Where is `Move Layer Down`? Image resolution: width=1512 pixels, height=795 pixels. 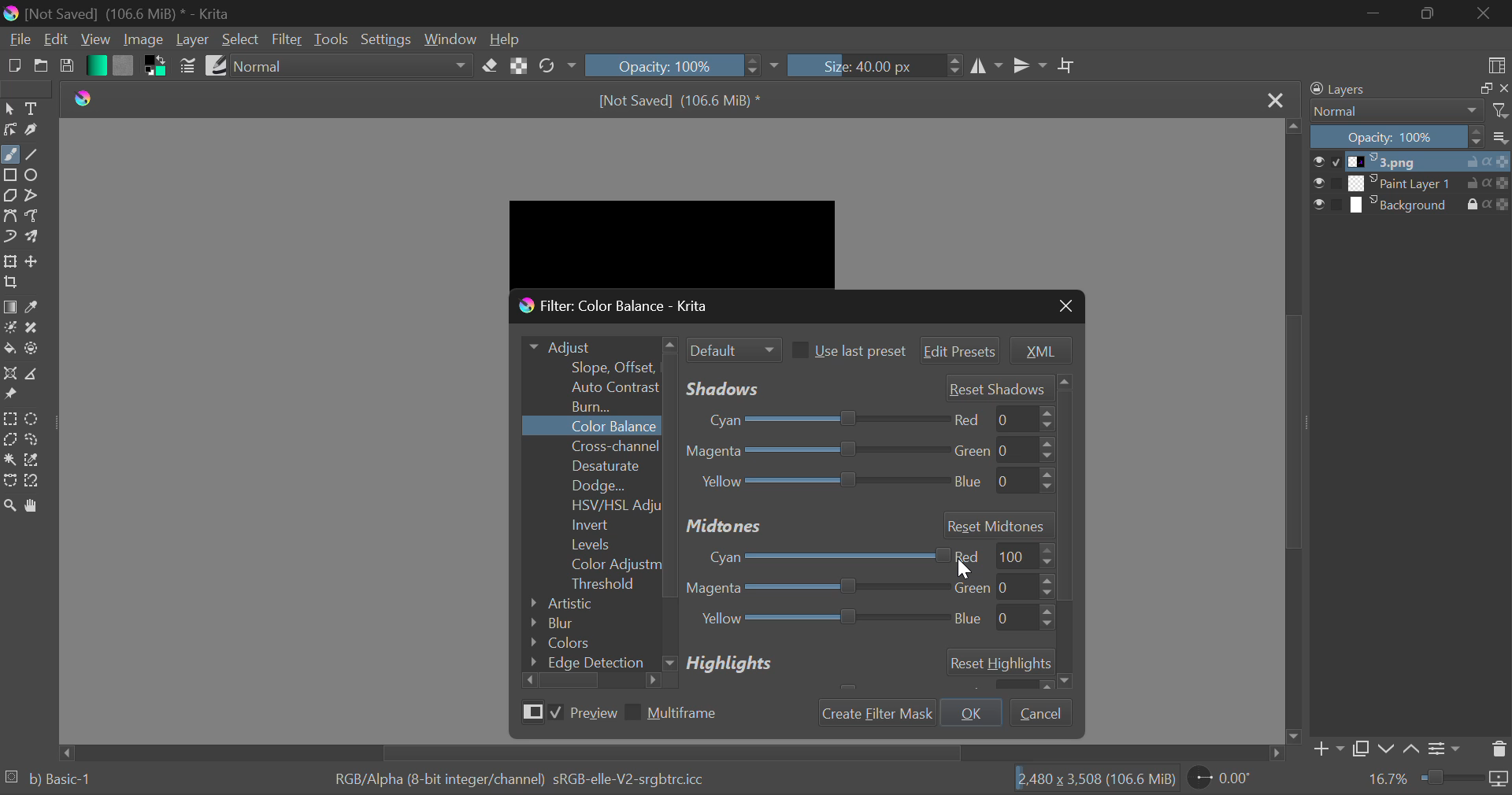
Move Layer Down is located at coordinates (1389, 748).